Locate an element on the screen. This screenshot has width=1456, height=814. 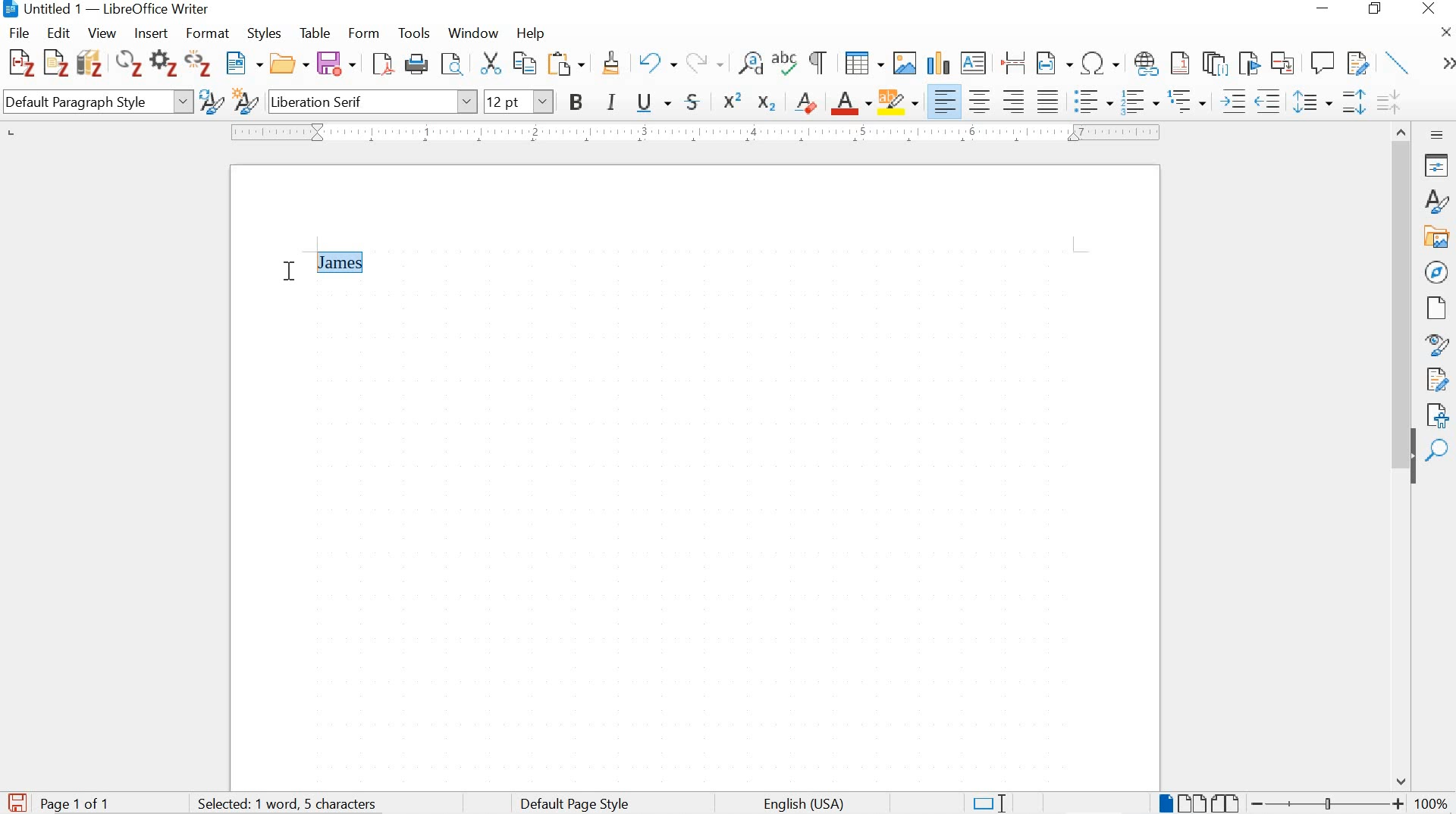
add/edit citation is located at coordinates (21, 64).